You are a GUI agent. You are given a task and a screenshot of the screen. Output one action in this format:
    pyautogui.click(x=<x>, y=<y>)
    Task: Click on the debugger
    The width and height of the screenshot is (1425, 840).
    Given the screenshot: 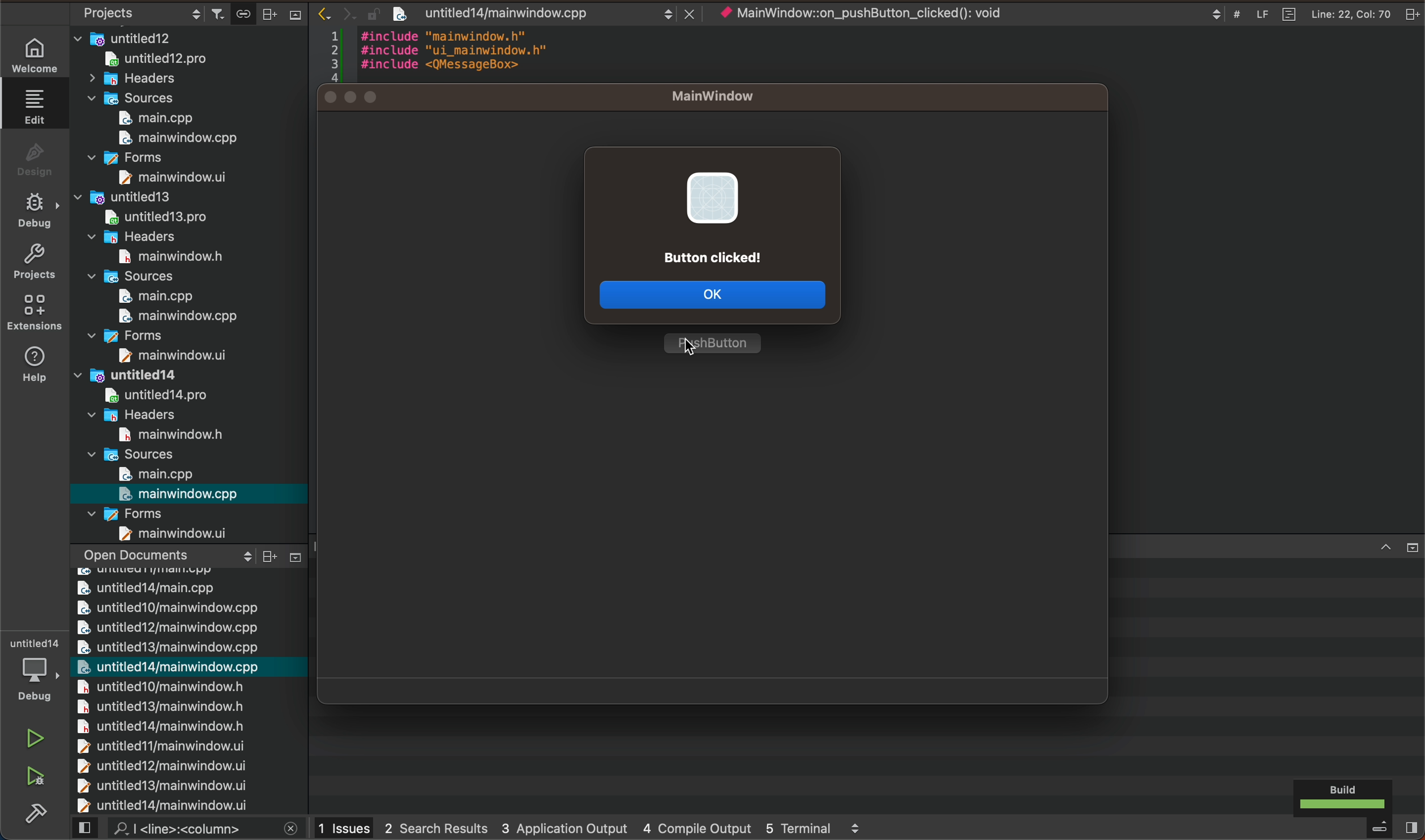 What is the action you would take?
    pyautogui.click(x=37, y=673)
    